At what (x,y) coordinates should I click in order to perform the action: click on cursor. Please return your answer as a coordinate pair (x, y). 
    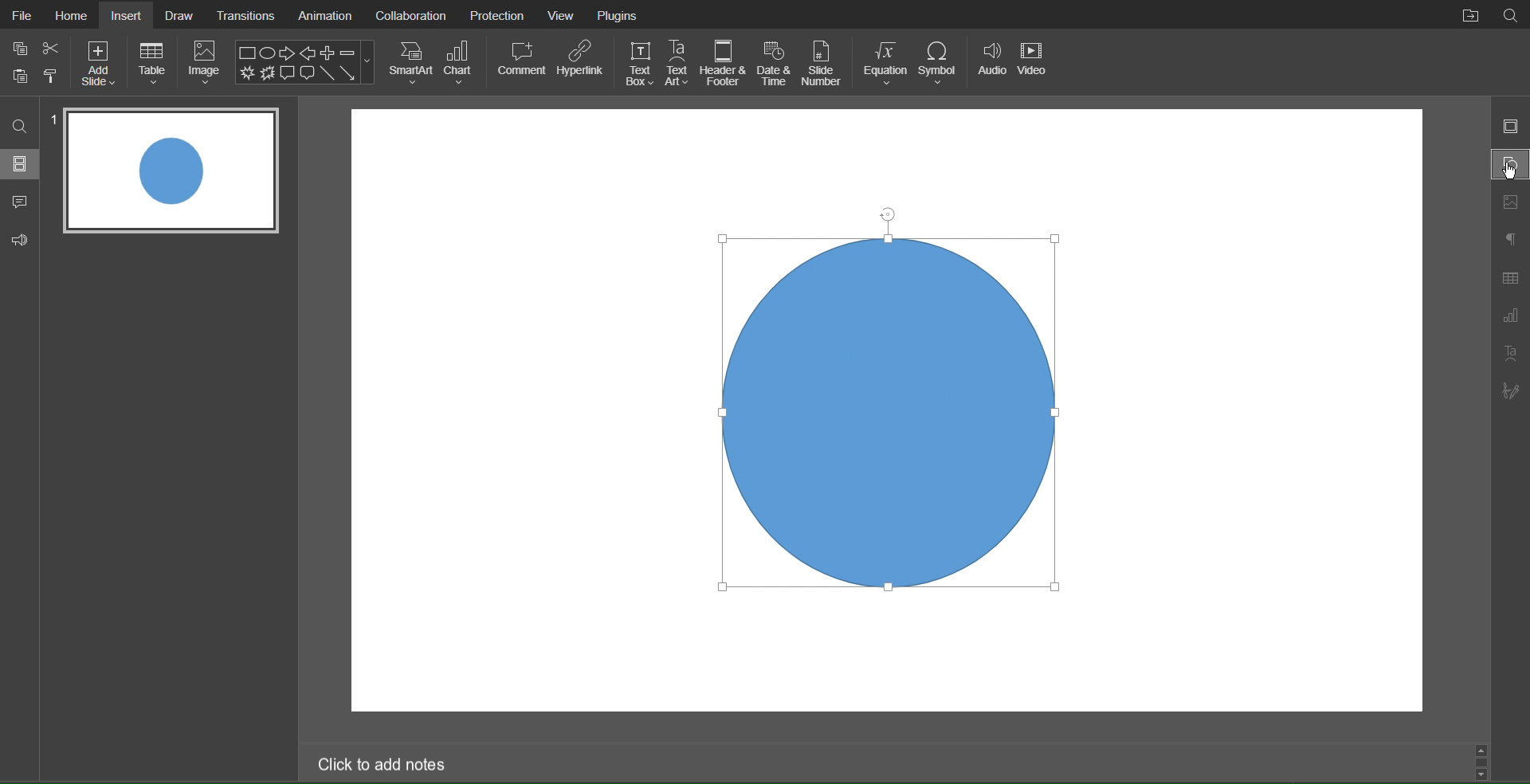
    Looking at the image, I should click on (1513, 173).